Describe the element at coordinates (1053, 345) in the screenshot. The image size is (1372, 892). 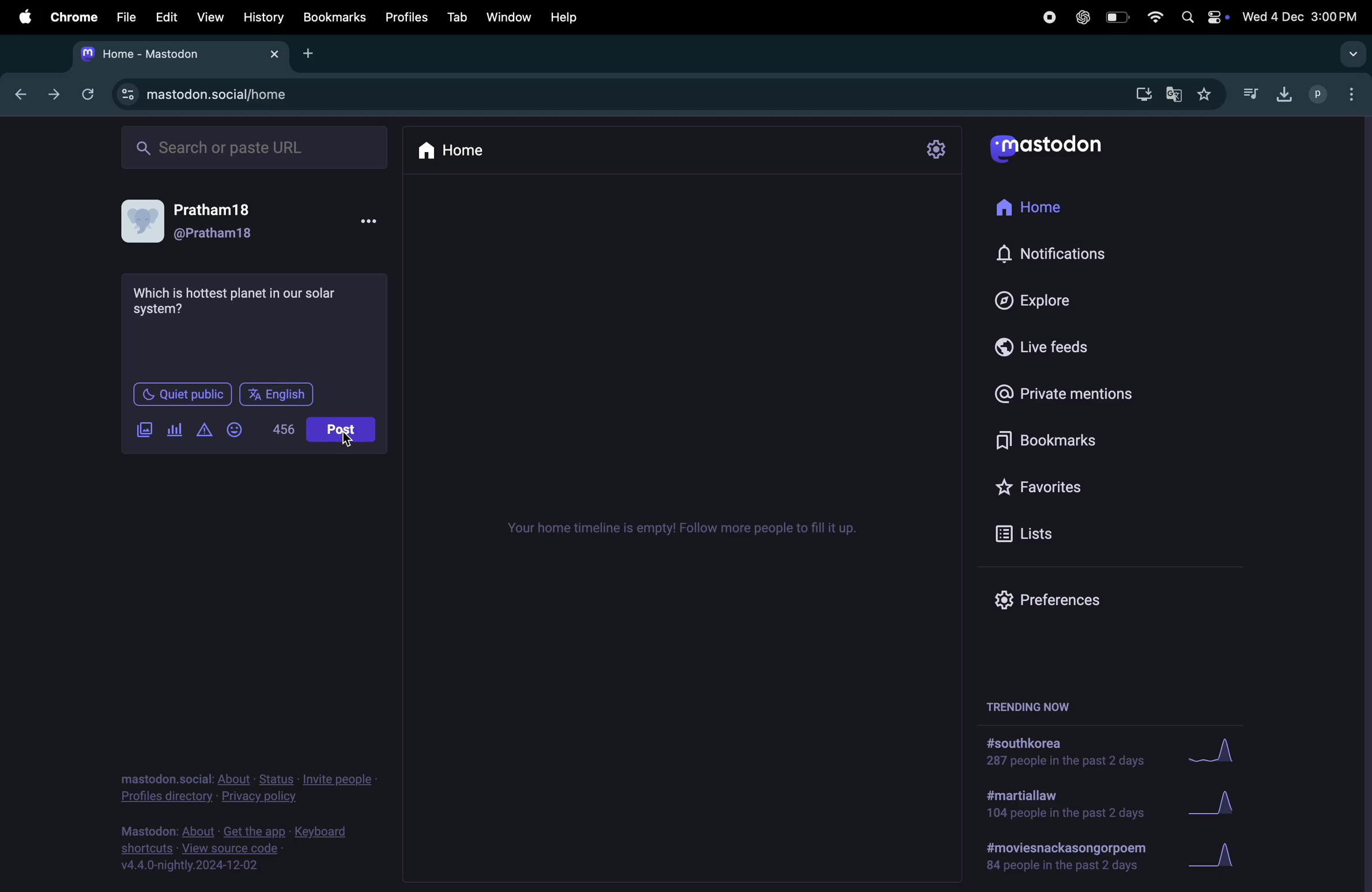
I see `live feeds` at that location.